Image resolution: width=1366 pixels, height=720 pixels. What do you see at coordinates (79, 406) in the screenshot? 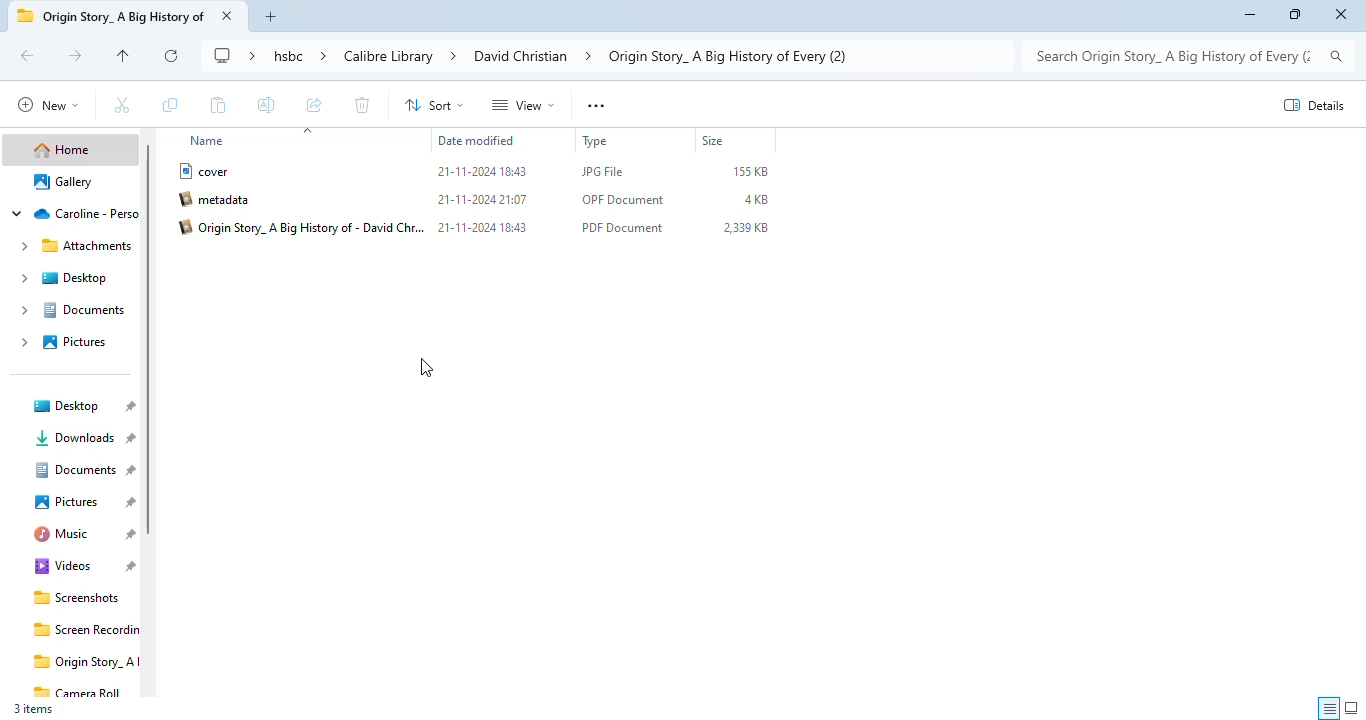
I see `desktop` at bounding box center [79, 406].